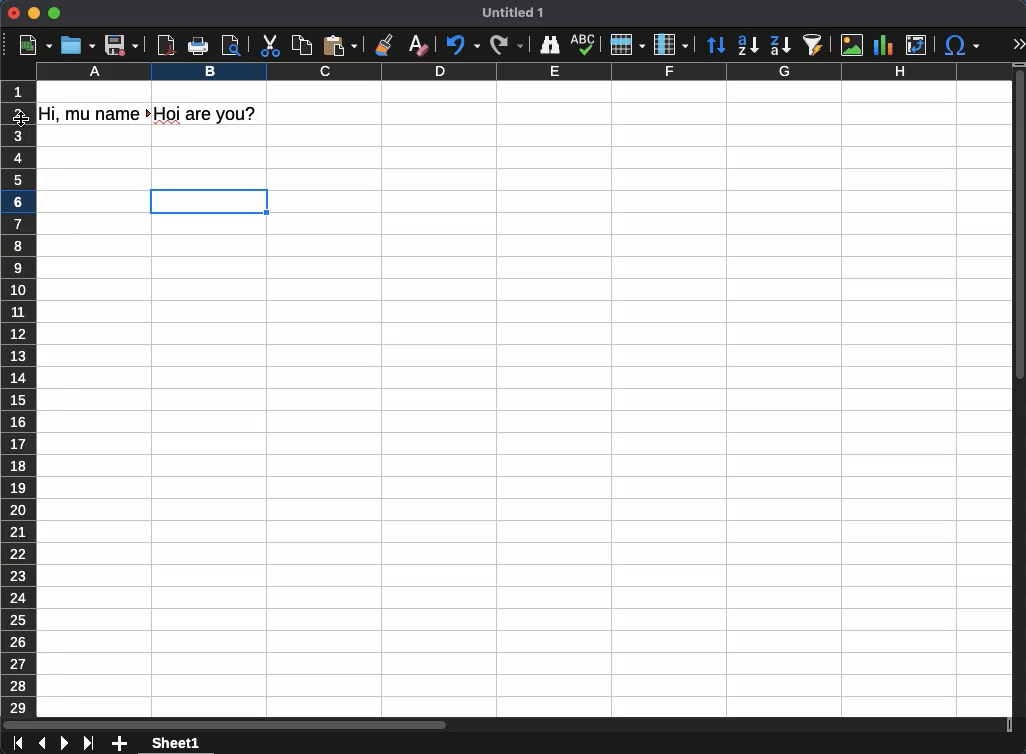 This screenshot has width=1026, height=754. Describe the element at coordinates (54, 12) in the screenshot. I see `maximize` at that location.